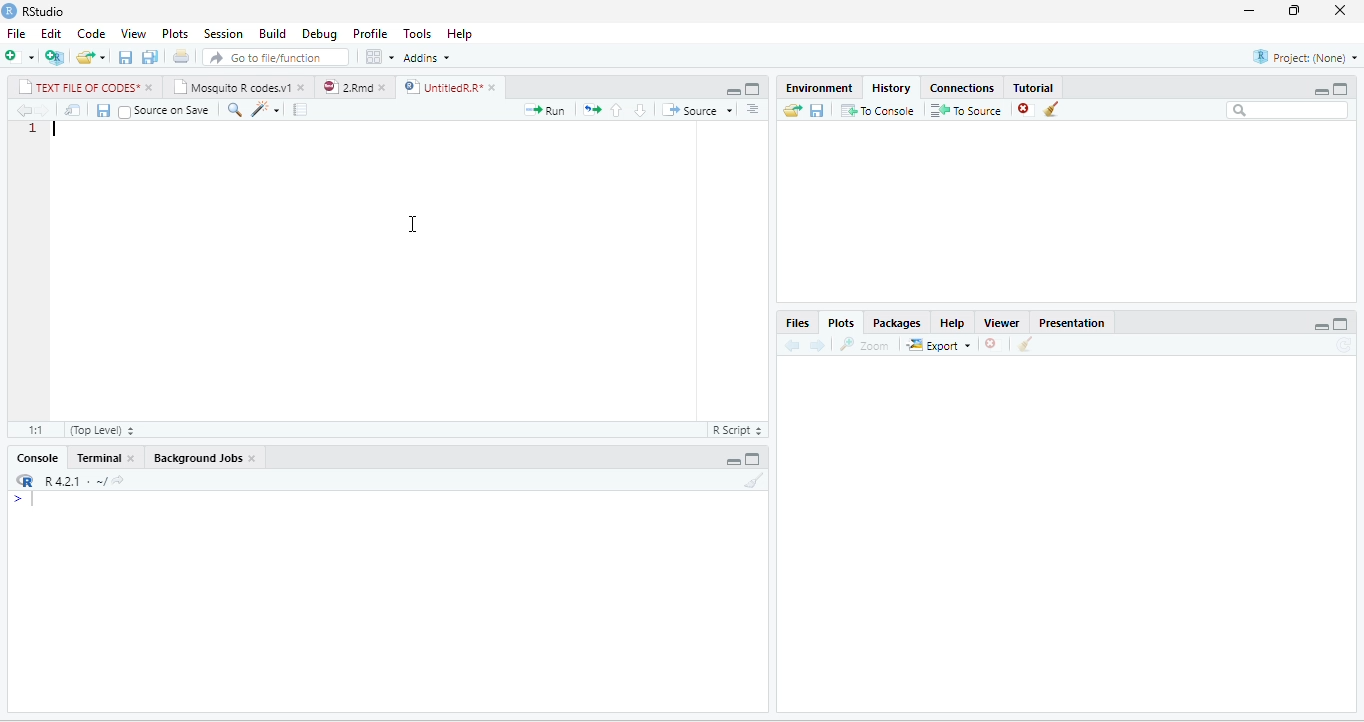  What do you see at coordinates (273, 34) in the screenshot?
I see `Build` at bounding box center [273, 34].